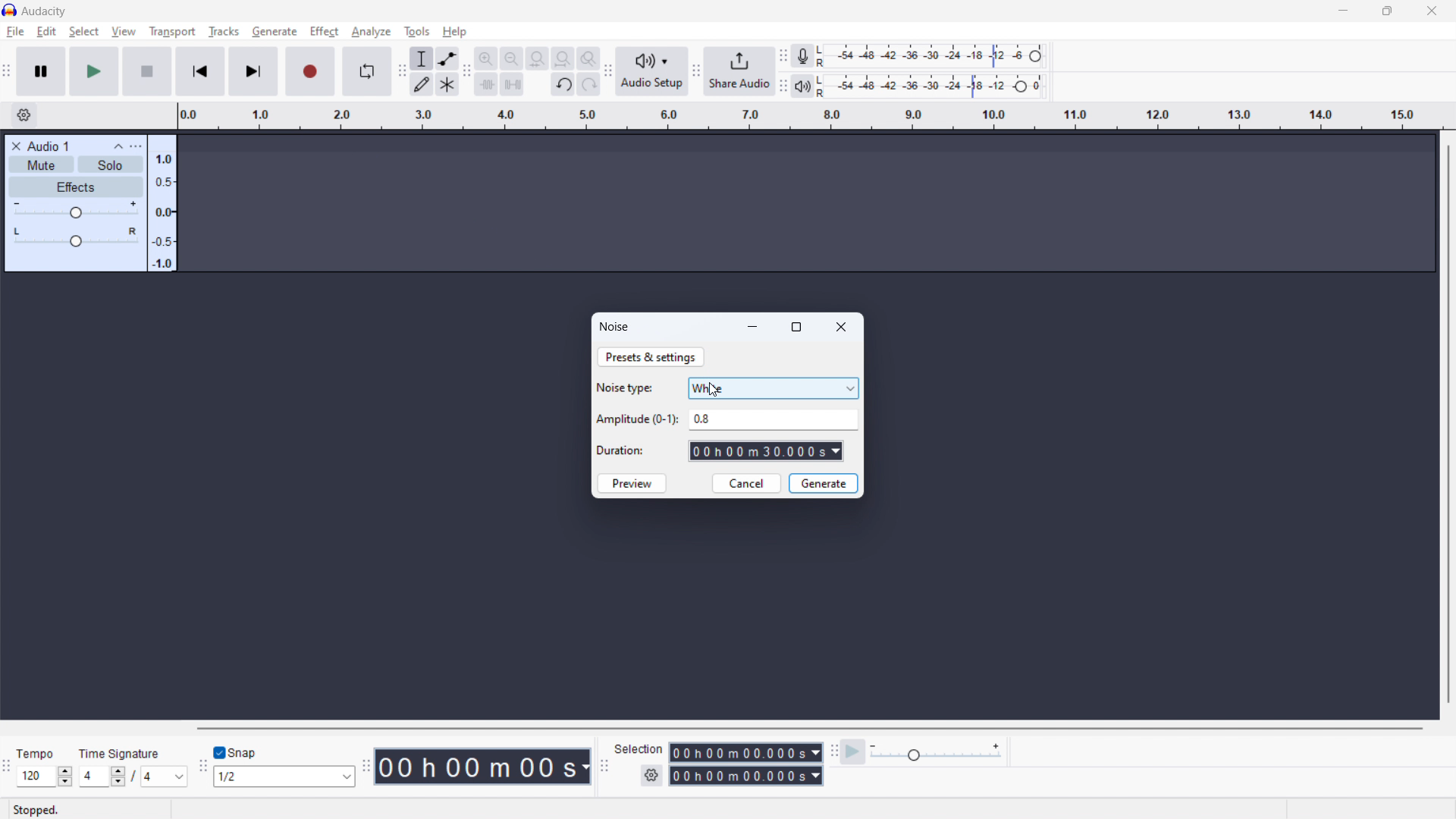  What do you see at coordinates (118, 147) in the screenshot?
I see `collapse` at bounding box center [118, 147].